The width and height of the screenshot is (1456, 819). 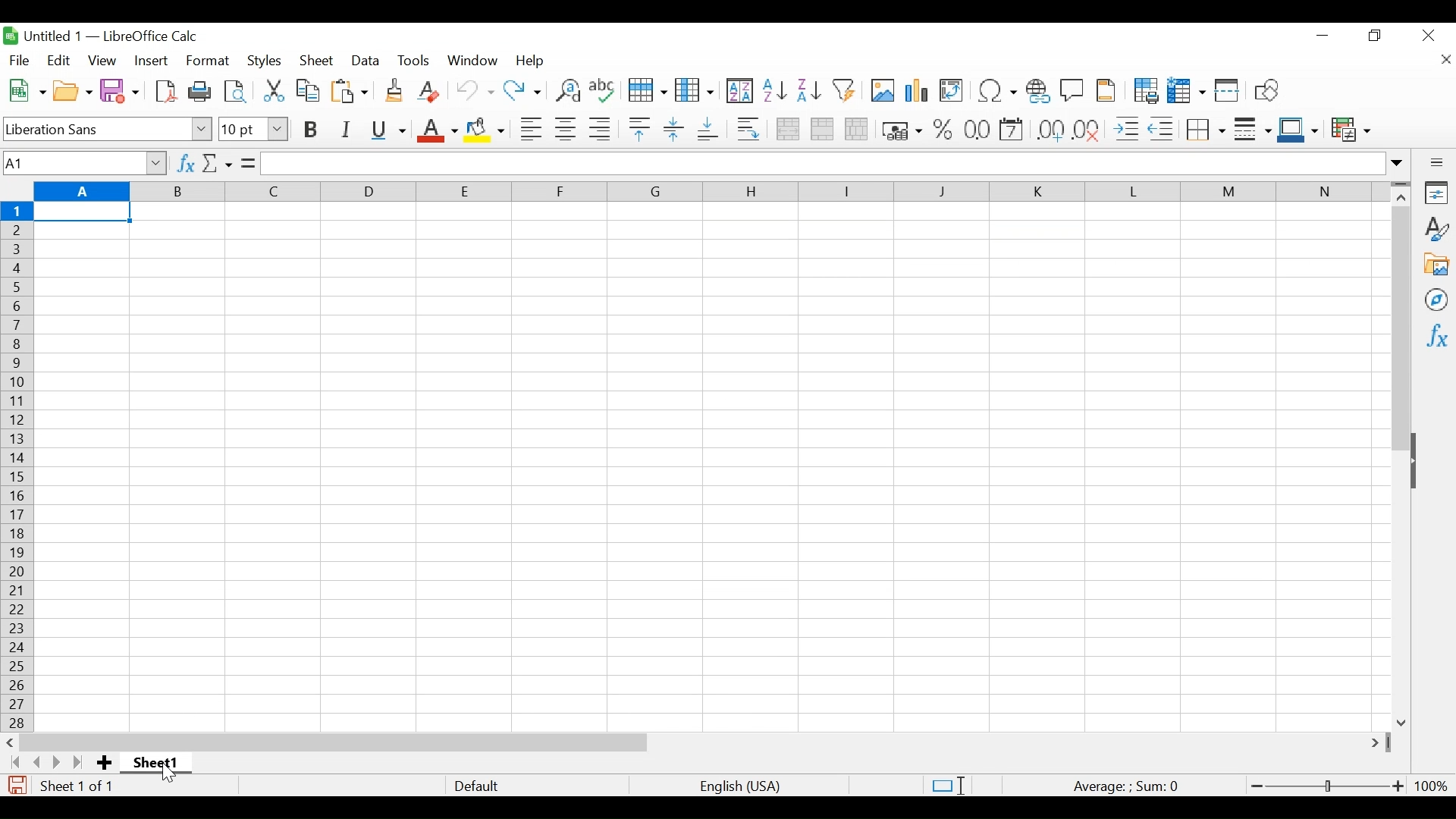 I want to click on Scroll down, so click(x=1402, y=720).